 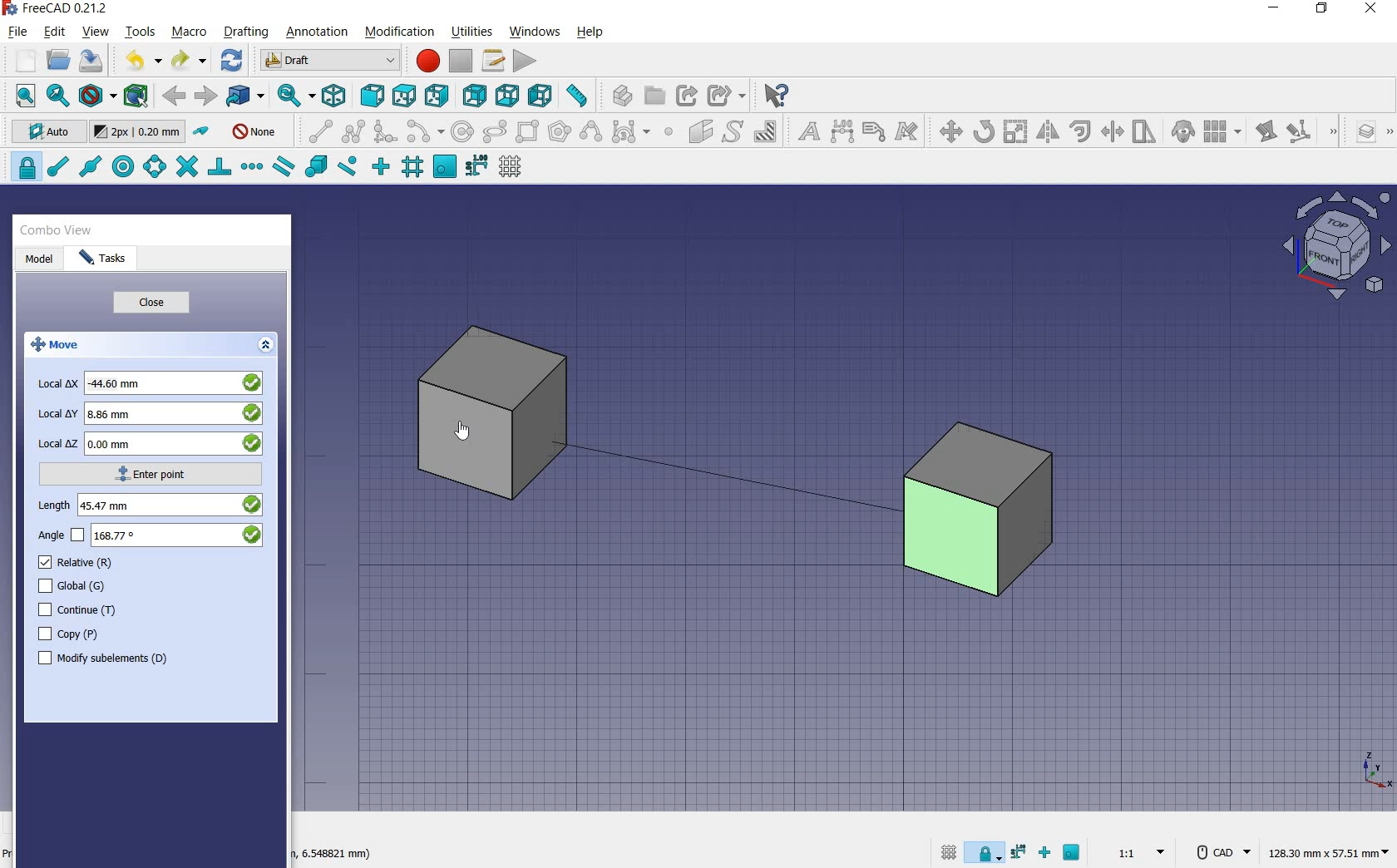 I want to click on system name, so click(x=57, y=8).